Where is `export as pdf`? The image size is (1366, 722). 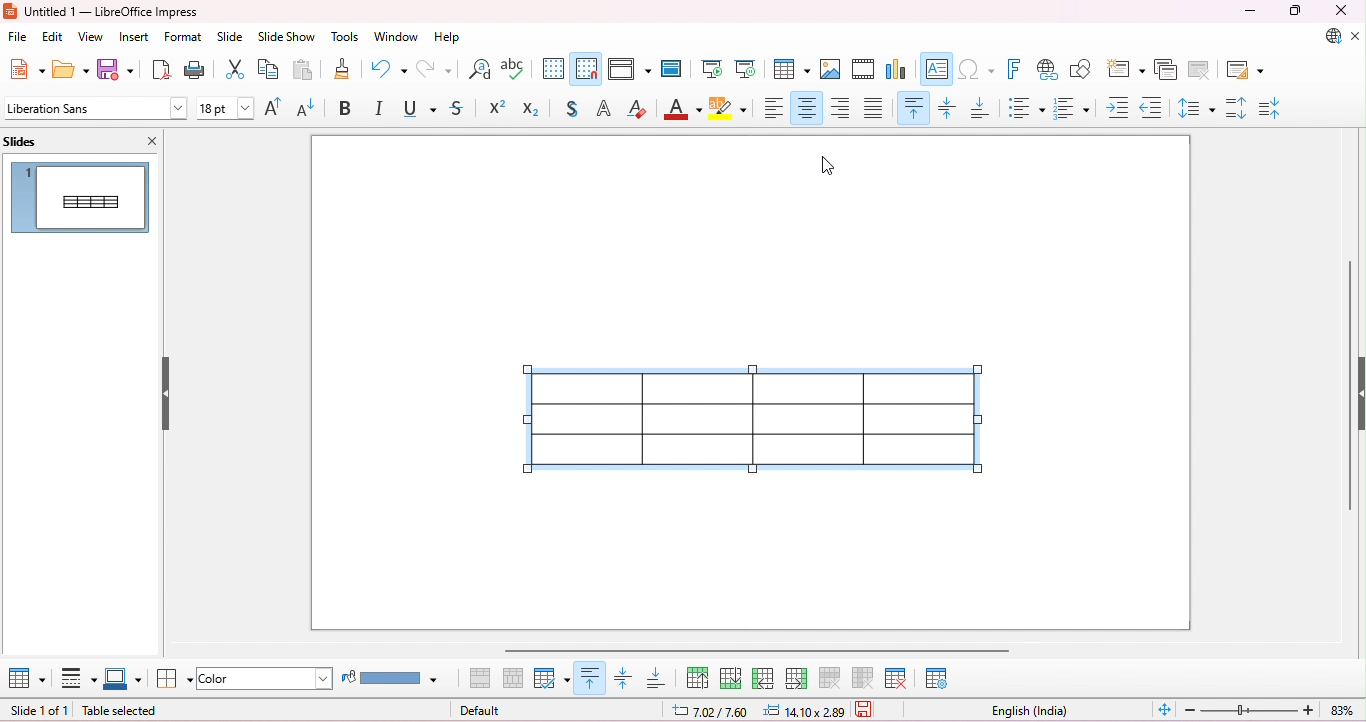 export as pdf is located at coordinates (162, 70).